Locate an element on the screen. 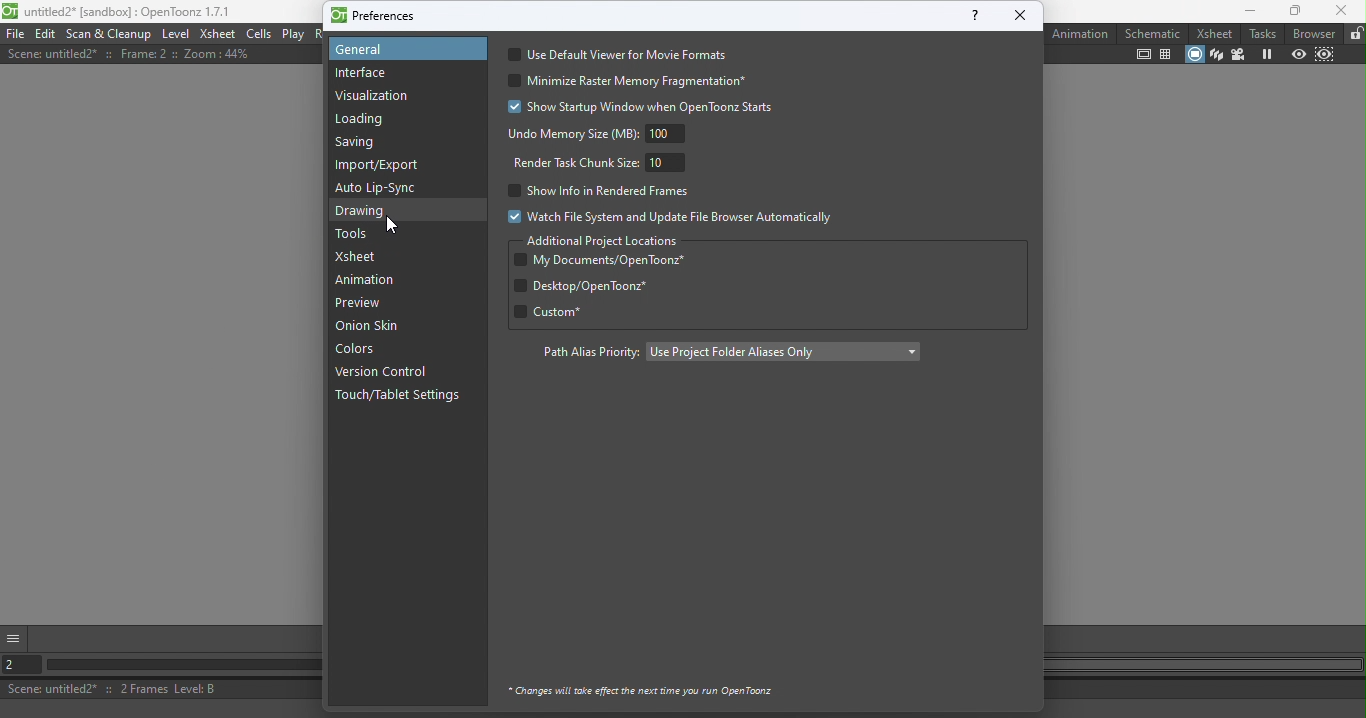  Xsheet is located at coordinates (361, 257).